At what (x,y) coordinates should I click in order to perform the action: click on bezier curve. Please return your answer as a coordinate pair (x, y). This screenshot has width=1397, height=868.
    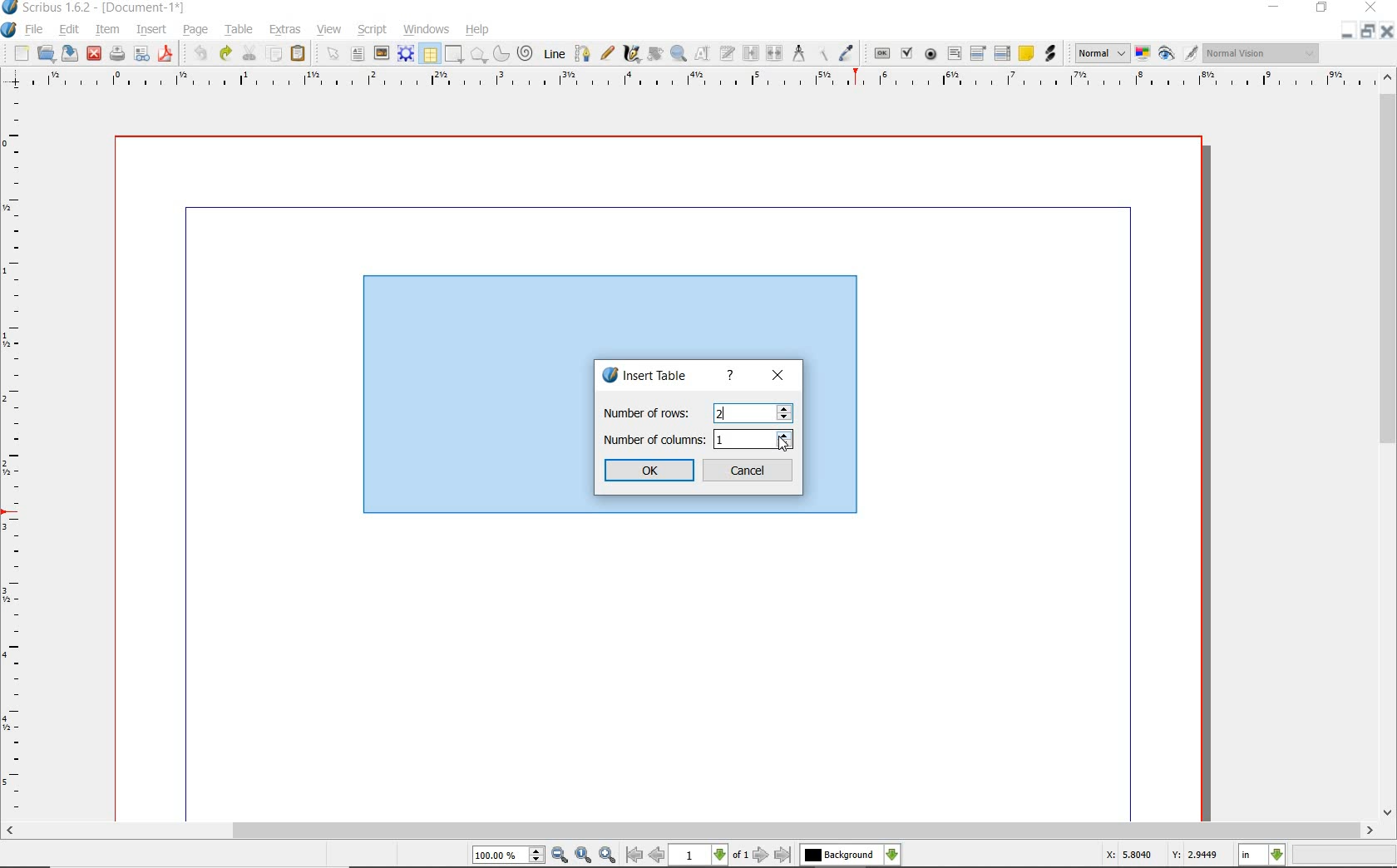
    Looking at the image, I should click on (582, 53).